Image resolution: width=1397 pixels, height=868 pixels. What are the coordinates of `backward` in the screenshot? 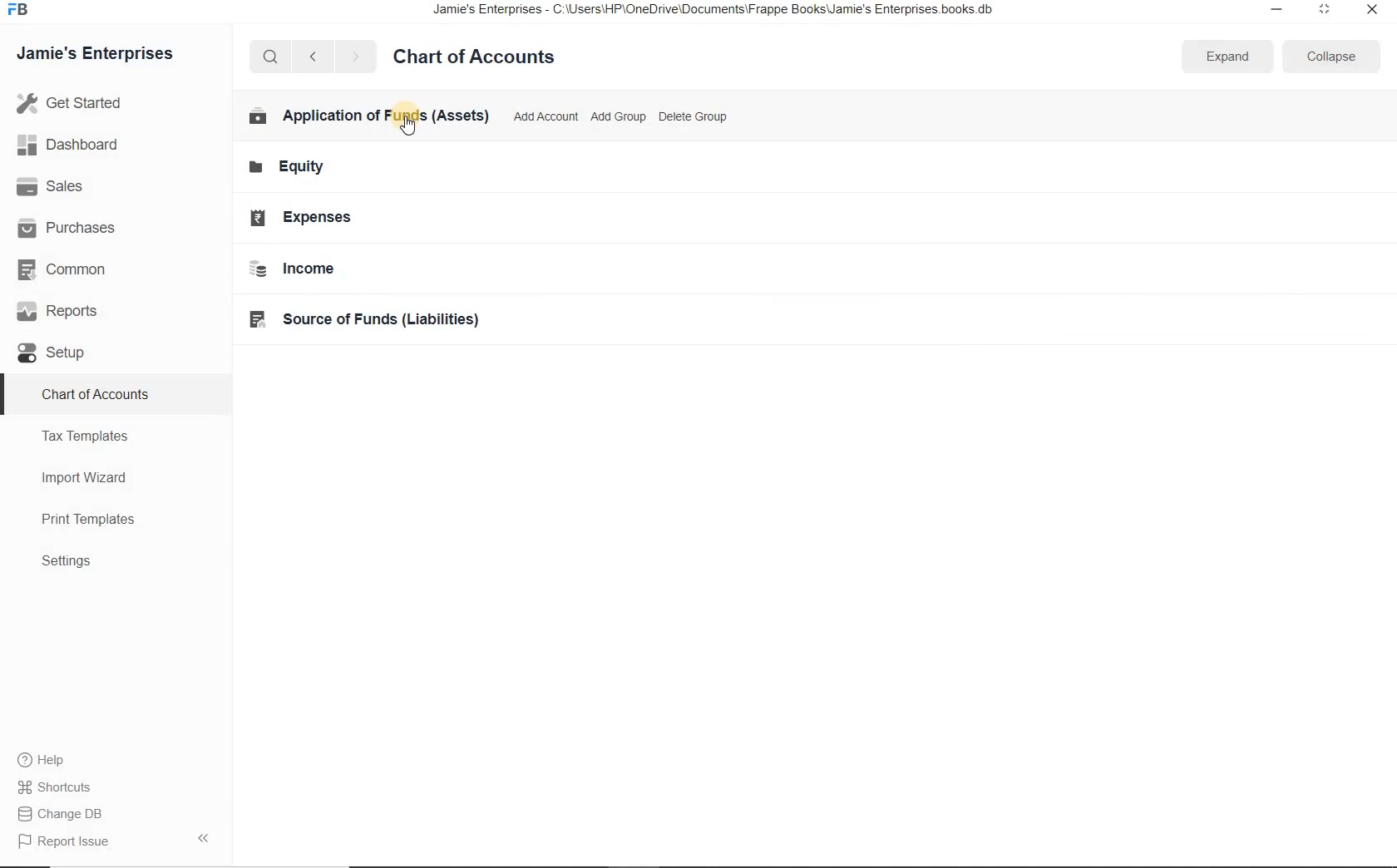 It's located at (312, 57).